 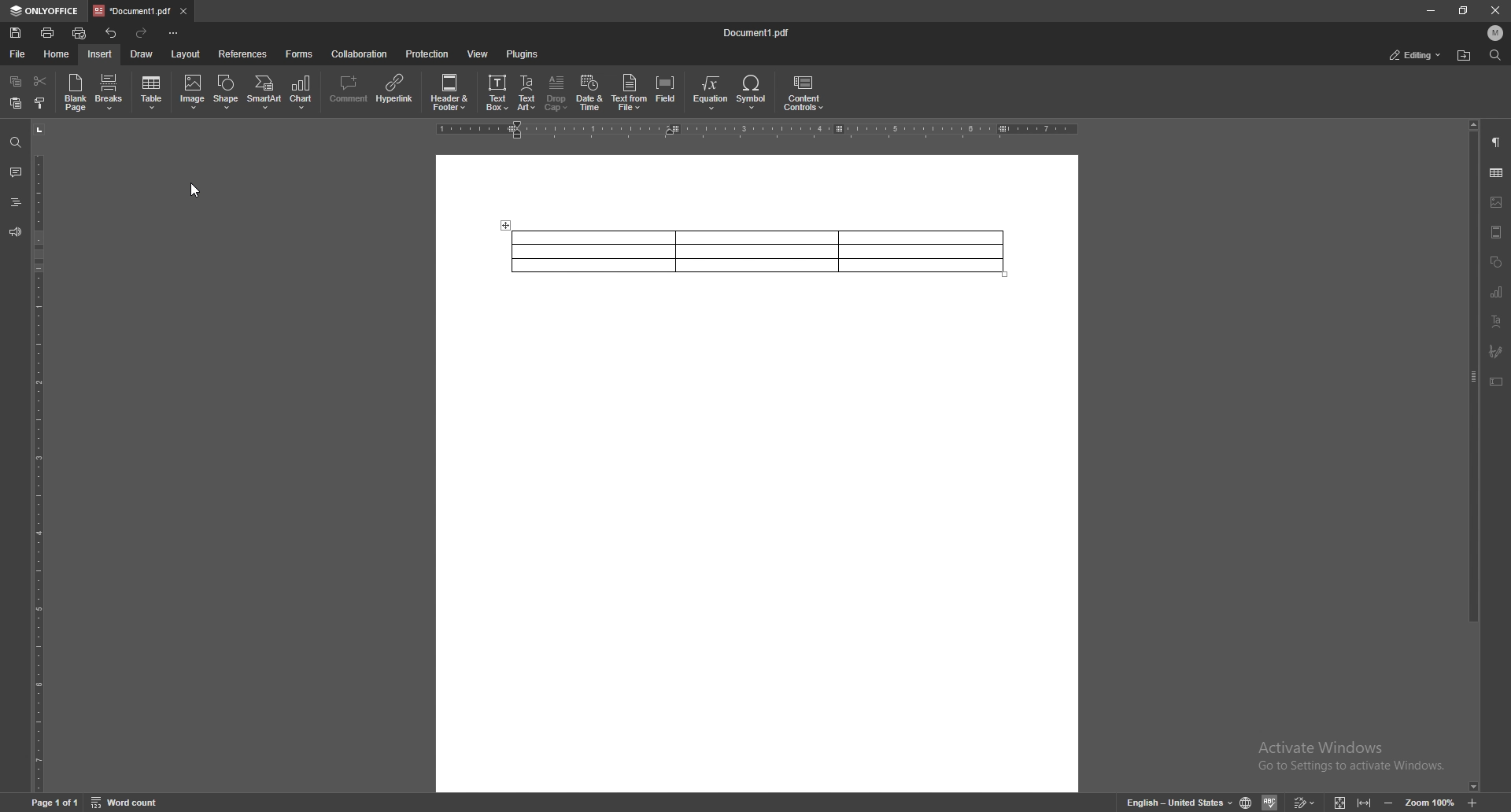 What do you see at coordinates (757, 547) in the screenshot?
I see `document` at bounding box center [757, 547].